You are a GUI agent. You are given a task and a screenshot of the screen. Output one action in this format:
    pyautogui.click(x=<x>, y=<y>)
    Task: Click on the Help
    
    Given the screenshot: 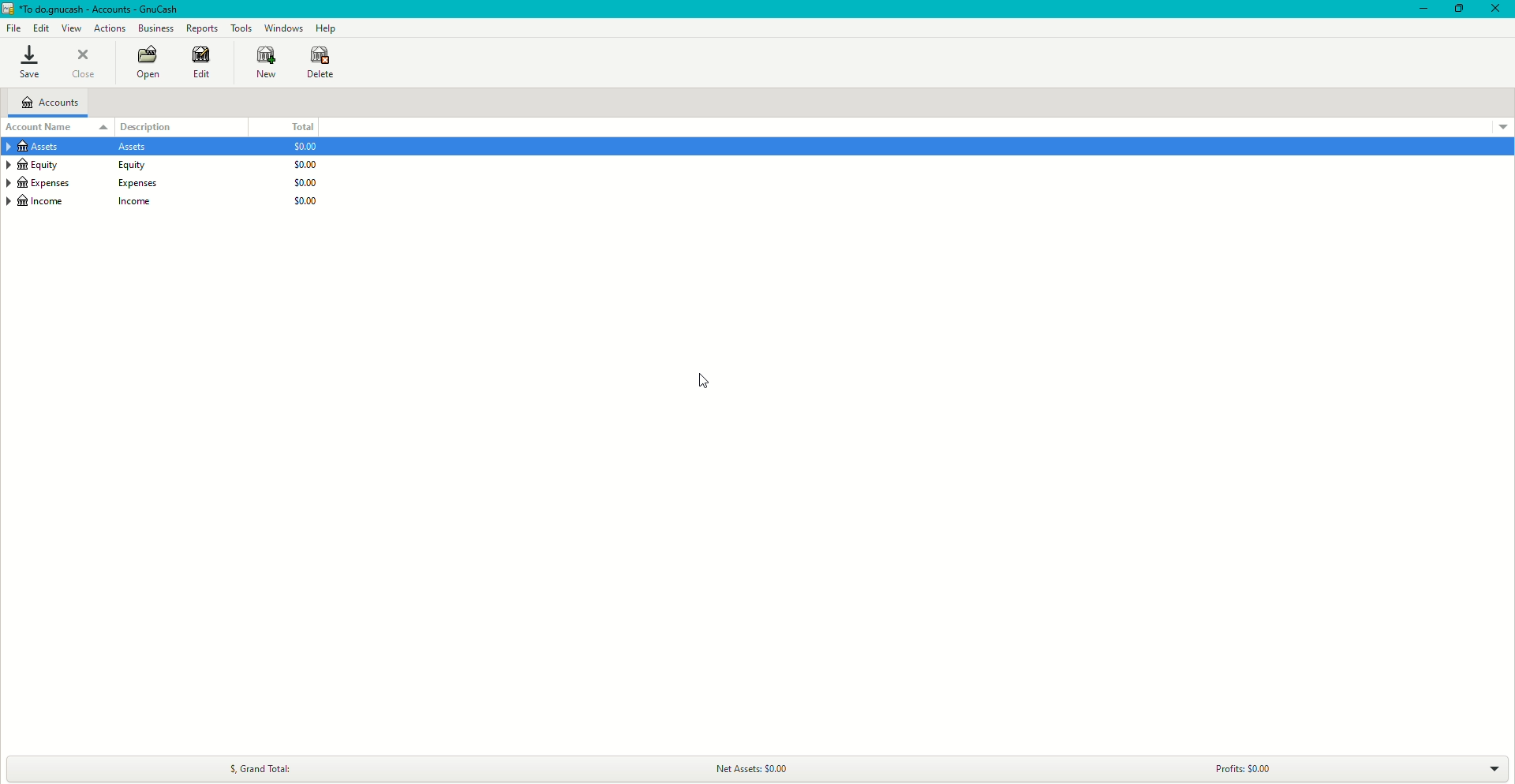 What is the action you would take?
    pyautogui.click(x=326, y=28)
    